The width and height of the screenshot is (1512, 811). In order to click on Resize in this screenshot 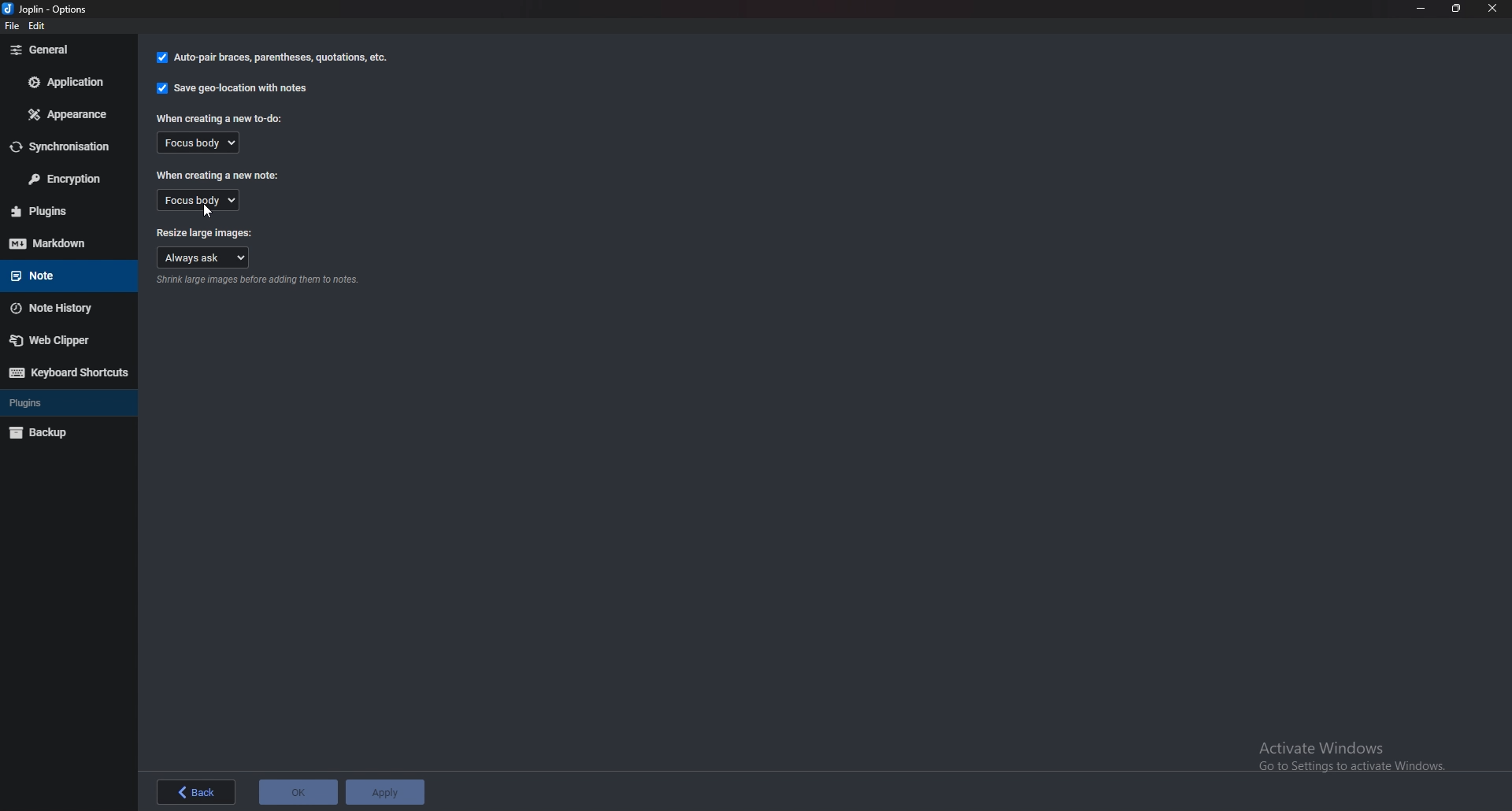, I will do `click(1454, 8)`.